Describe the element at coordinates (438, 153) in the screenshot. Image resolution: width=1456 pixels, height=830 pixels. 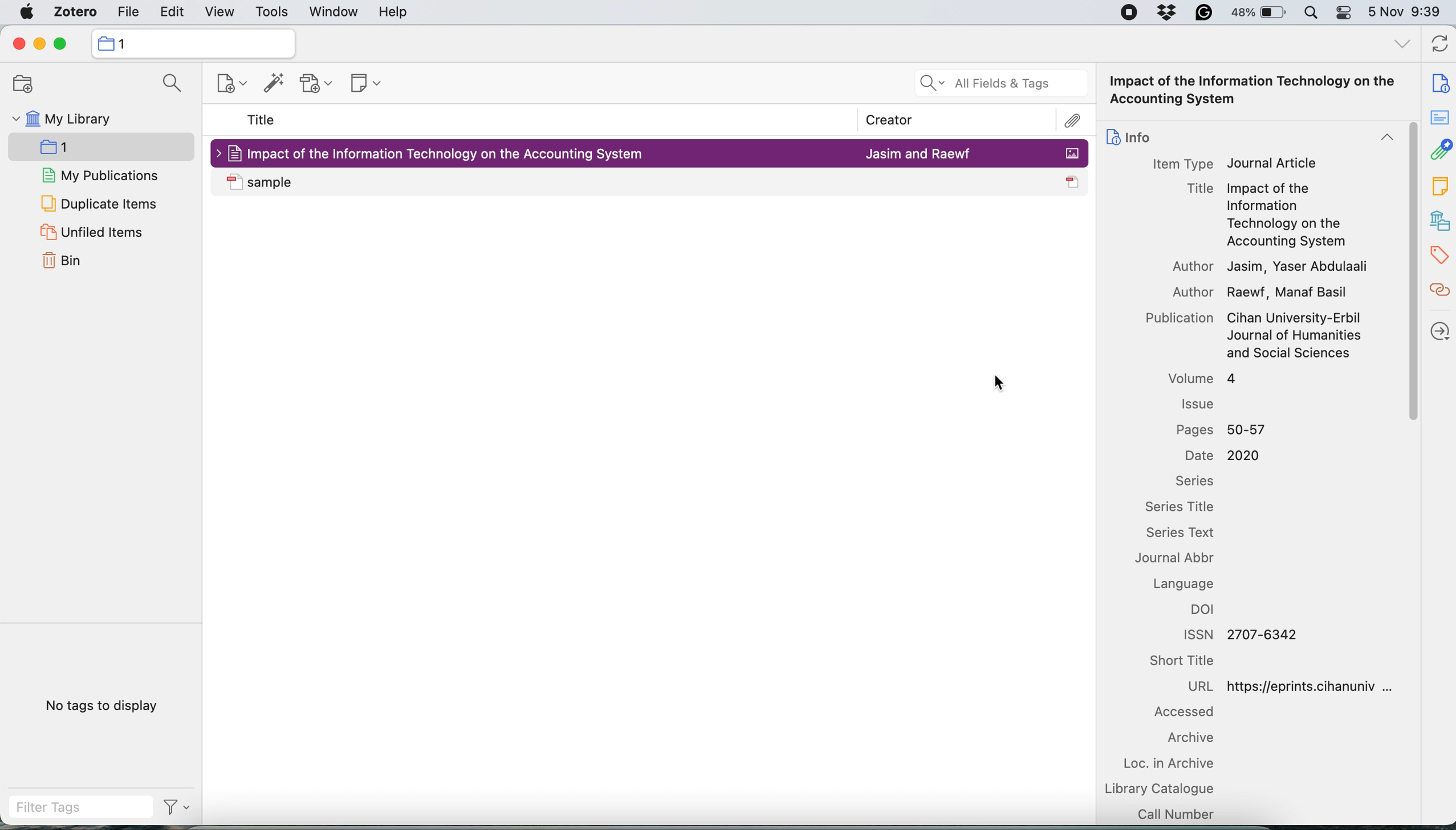
I see `Selected  "Impact of the Information Technology on the Accounting System" file` at that location.